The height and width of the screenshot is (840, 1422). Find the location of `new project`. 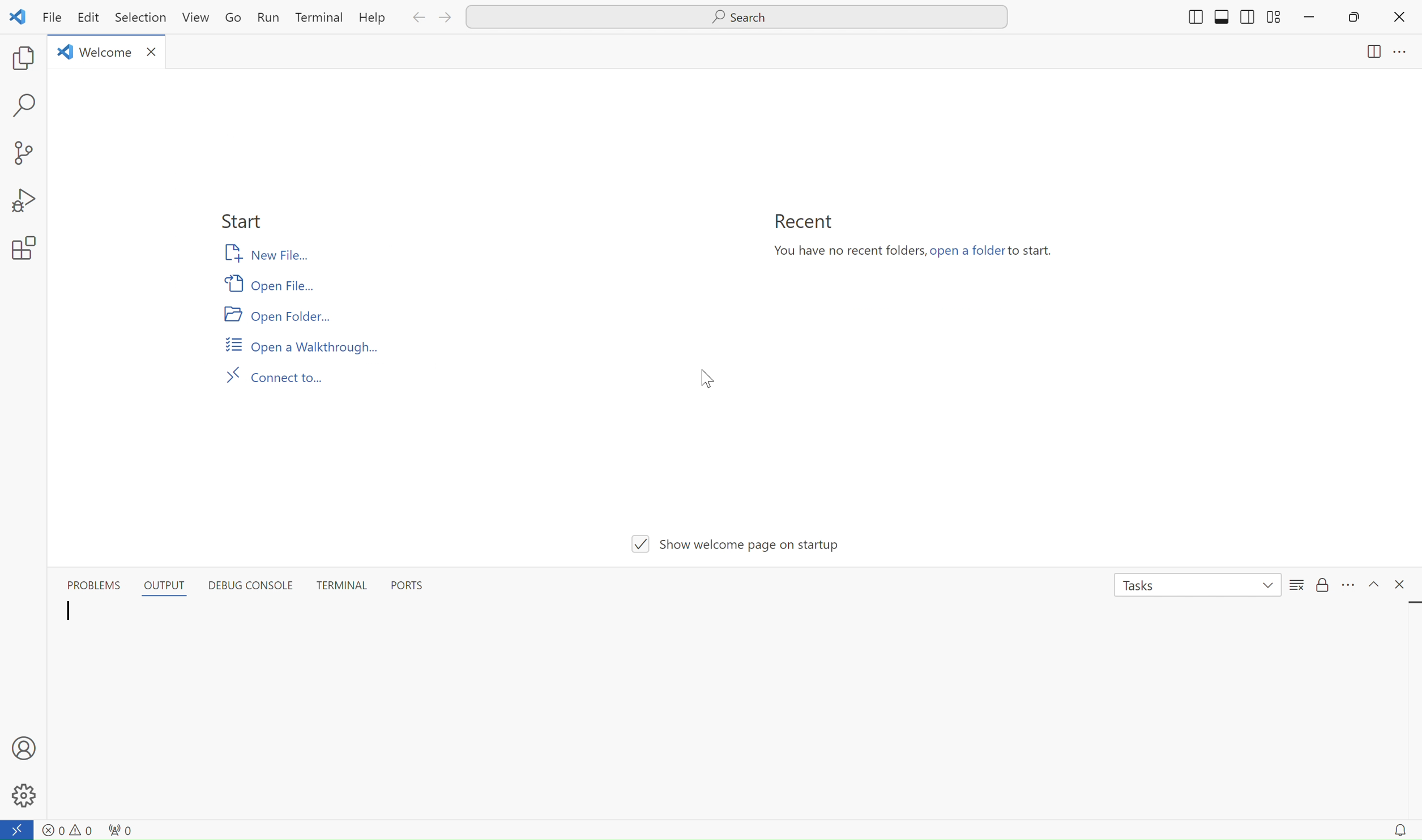

new project is located at coordinates (26, 148).